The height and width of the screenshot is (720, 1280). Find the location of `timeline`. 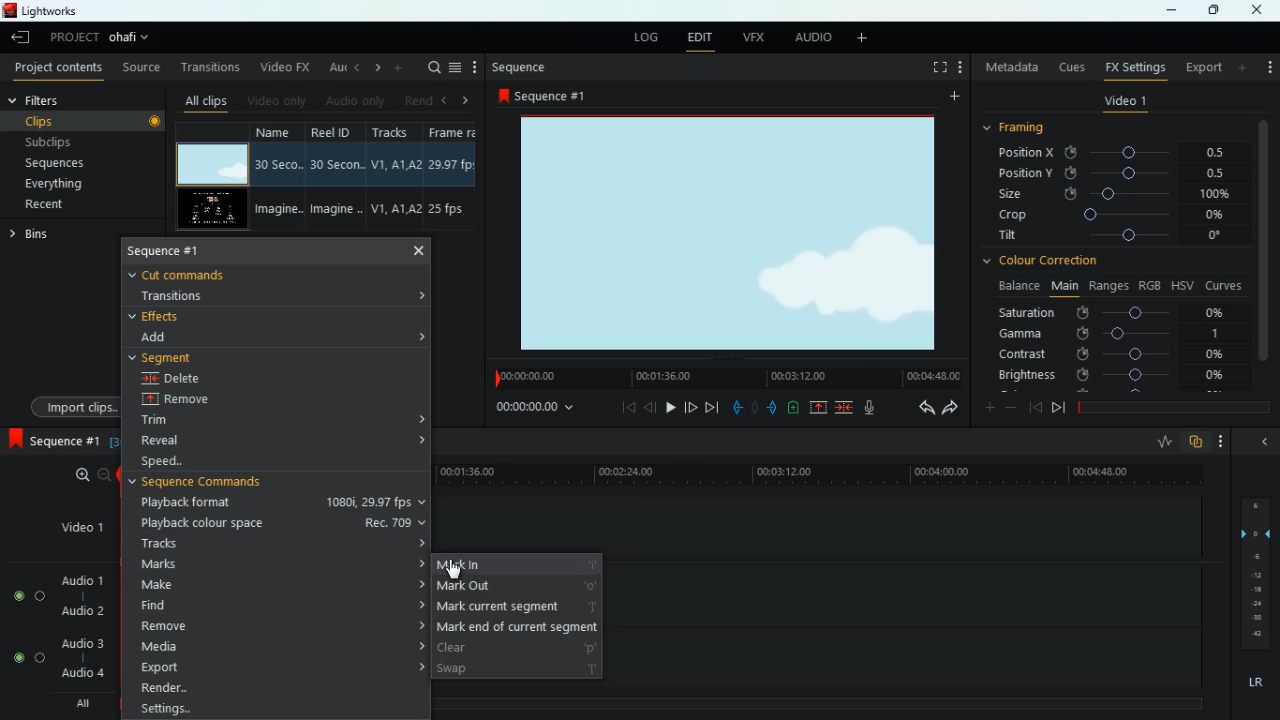

timeline is located at coordinates (724, 376).